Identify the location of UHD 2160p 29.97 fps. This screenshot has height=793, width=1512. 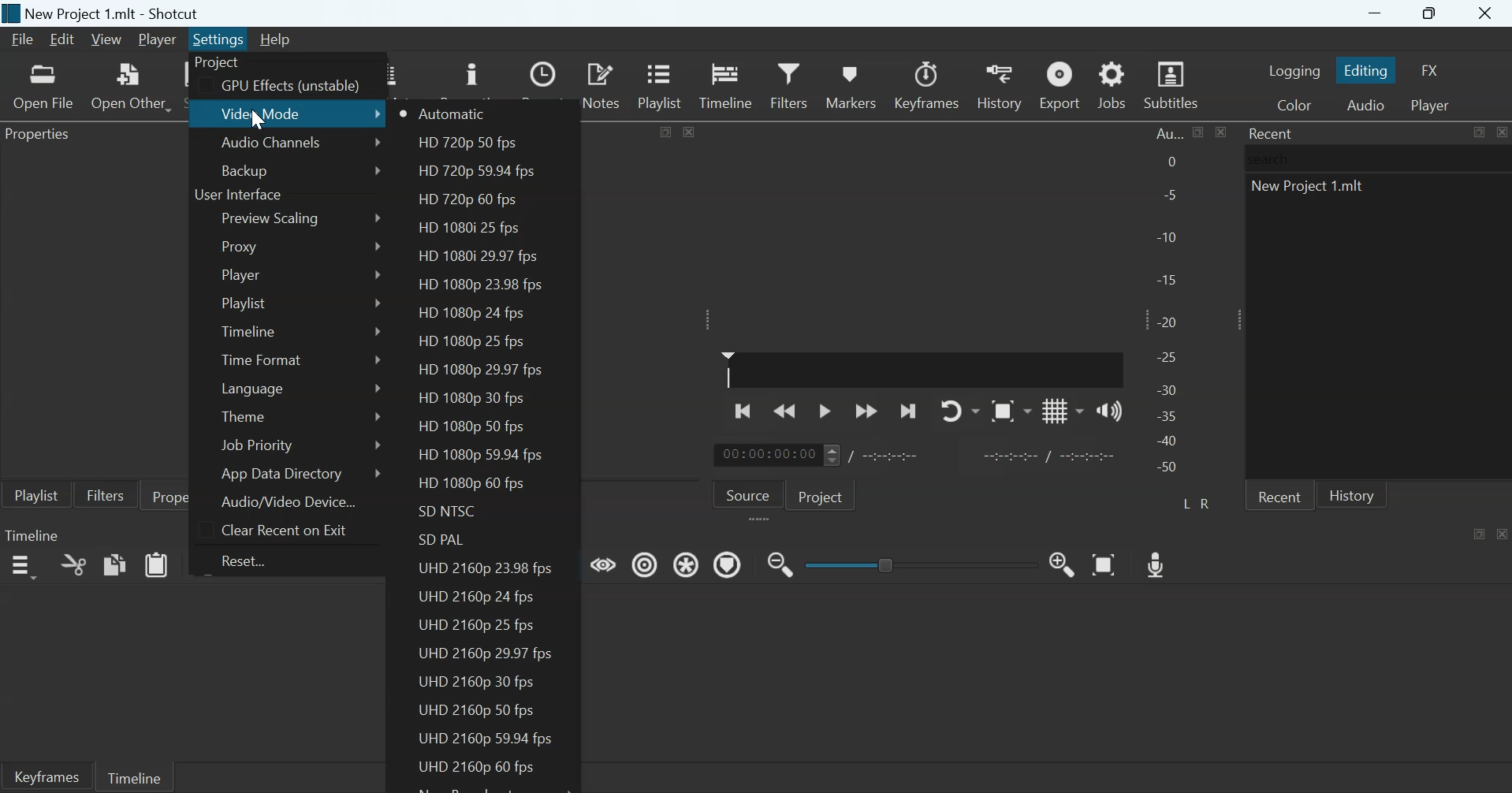
(486, 653).